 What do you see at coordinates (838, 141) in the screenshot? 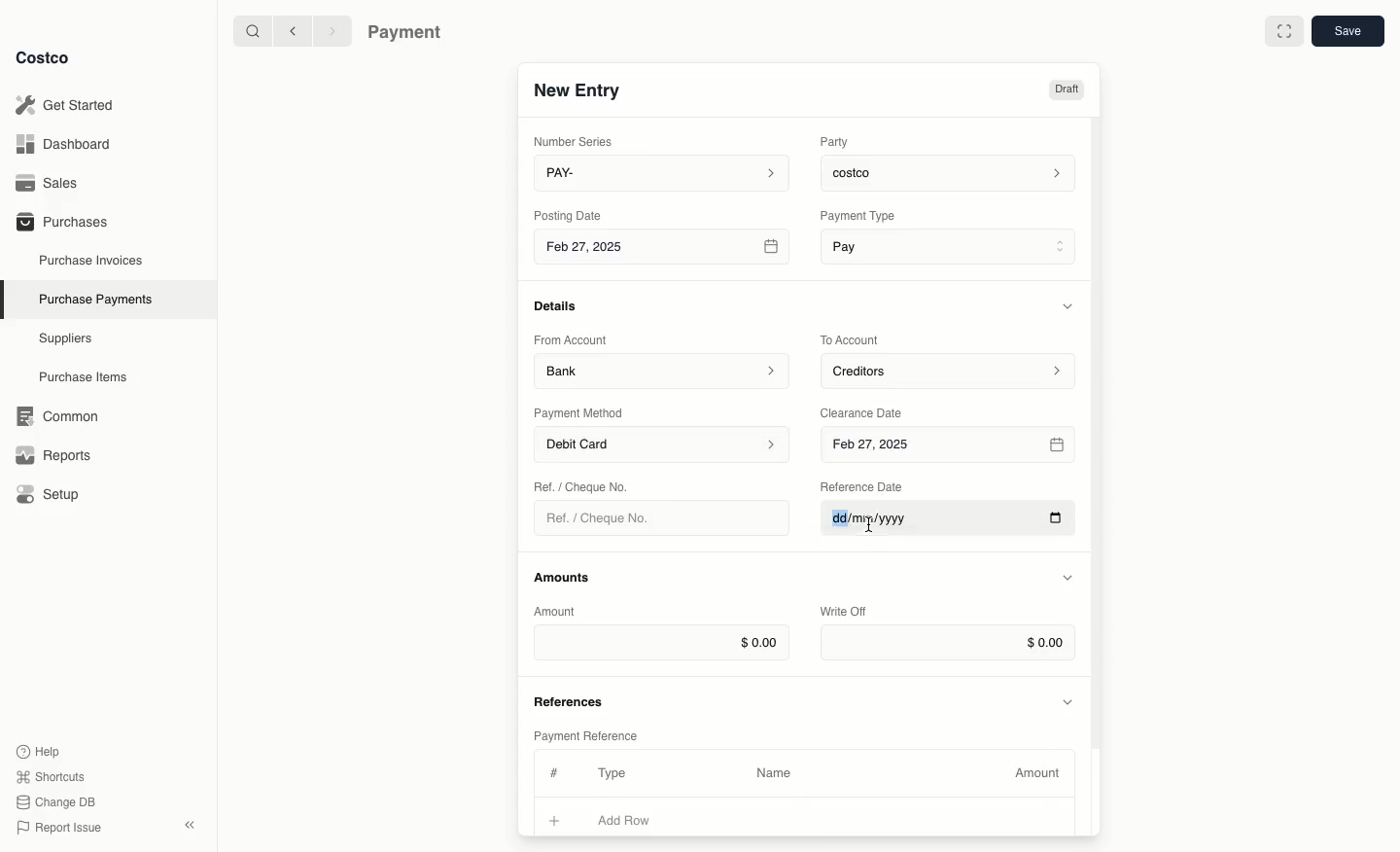
I see `Party` at bounding box center [838, 141].